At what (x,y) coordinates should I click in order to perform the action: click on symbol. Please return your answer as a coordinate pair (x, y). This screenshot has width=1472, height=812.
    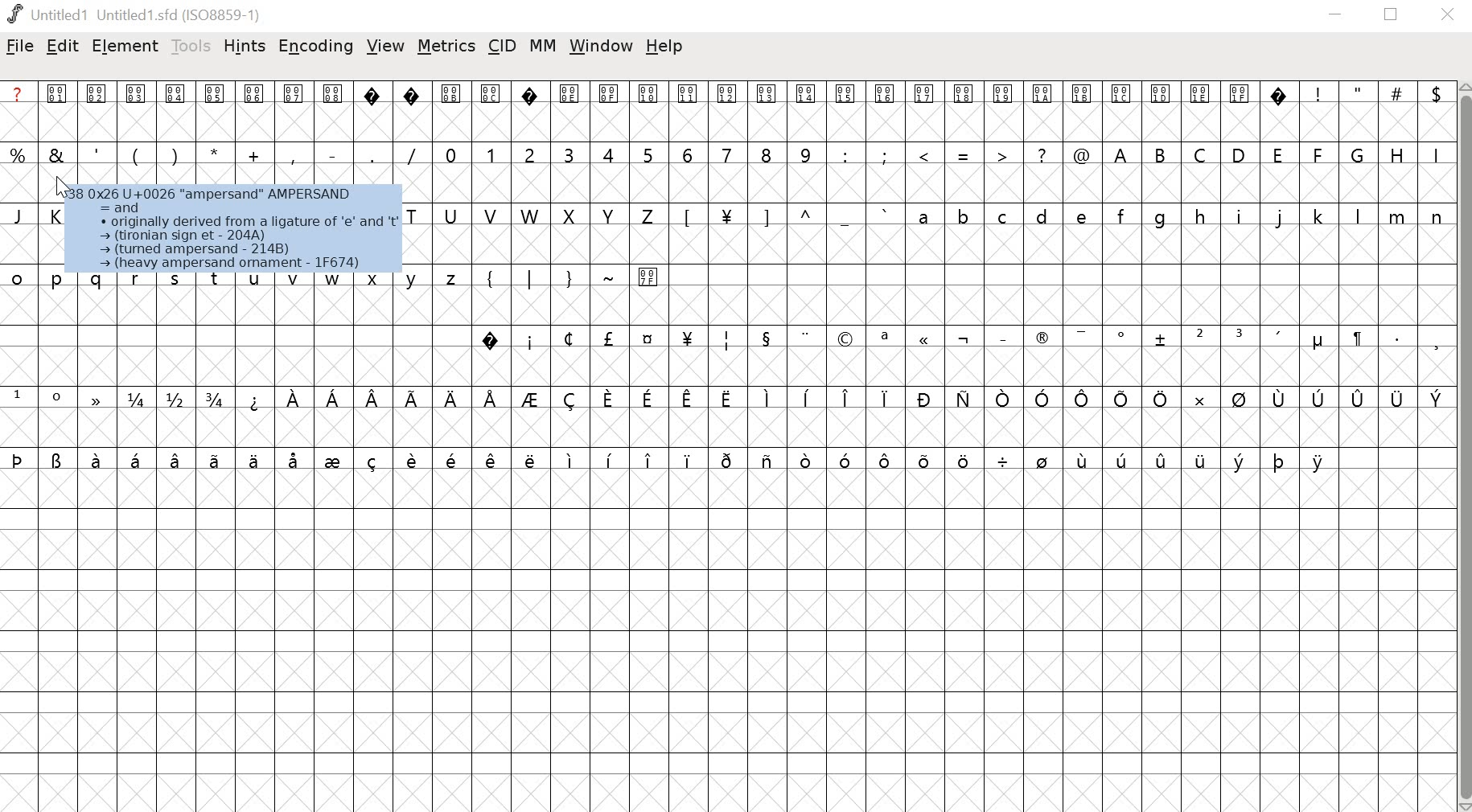
    Looking at the image, I should click on (138, 459).